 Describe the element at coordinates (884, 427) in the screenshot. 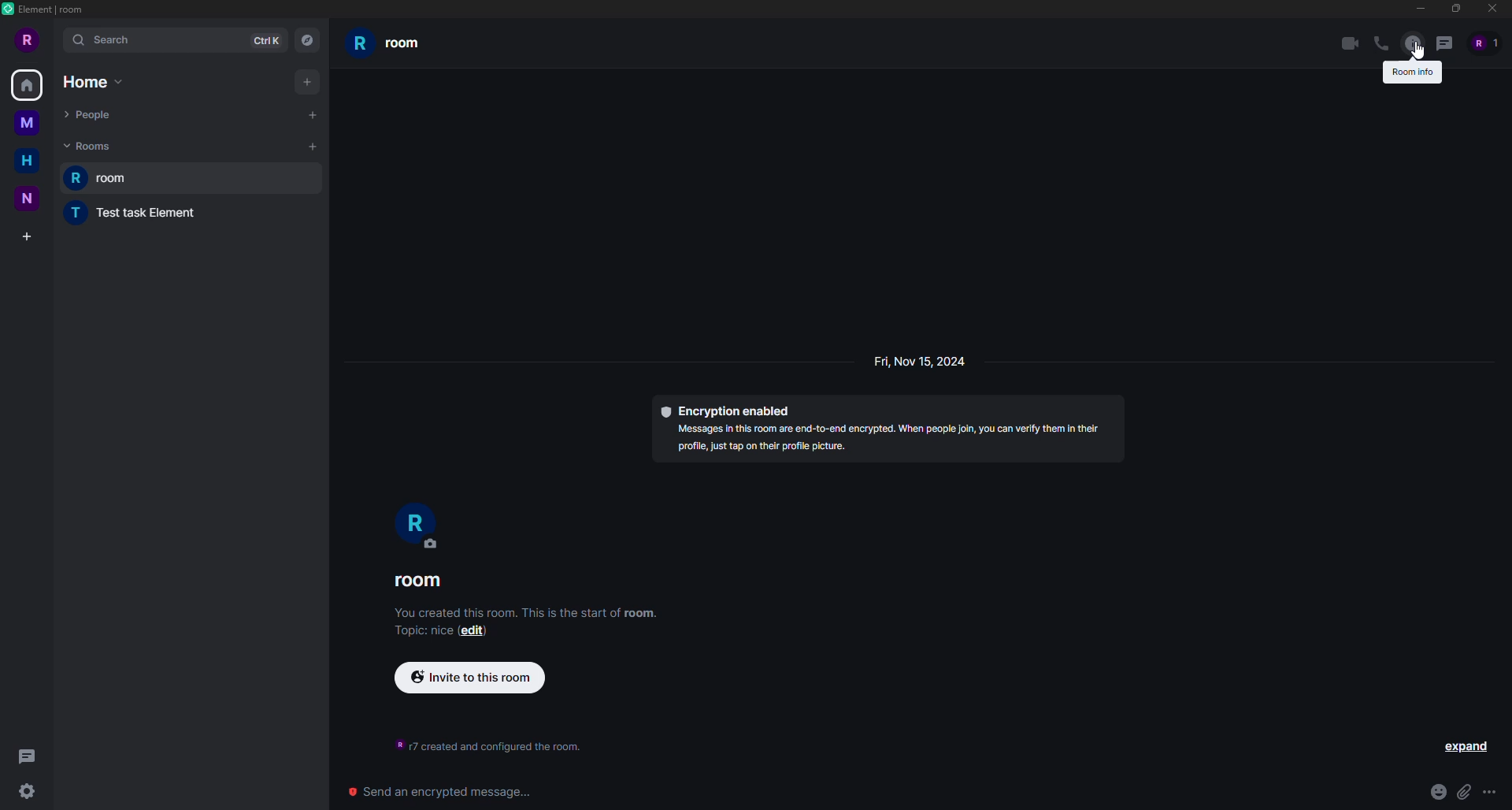

I see `encryption enabled` at that location.